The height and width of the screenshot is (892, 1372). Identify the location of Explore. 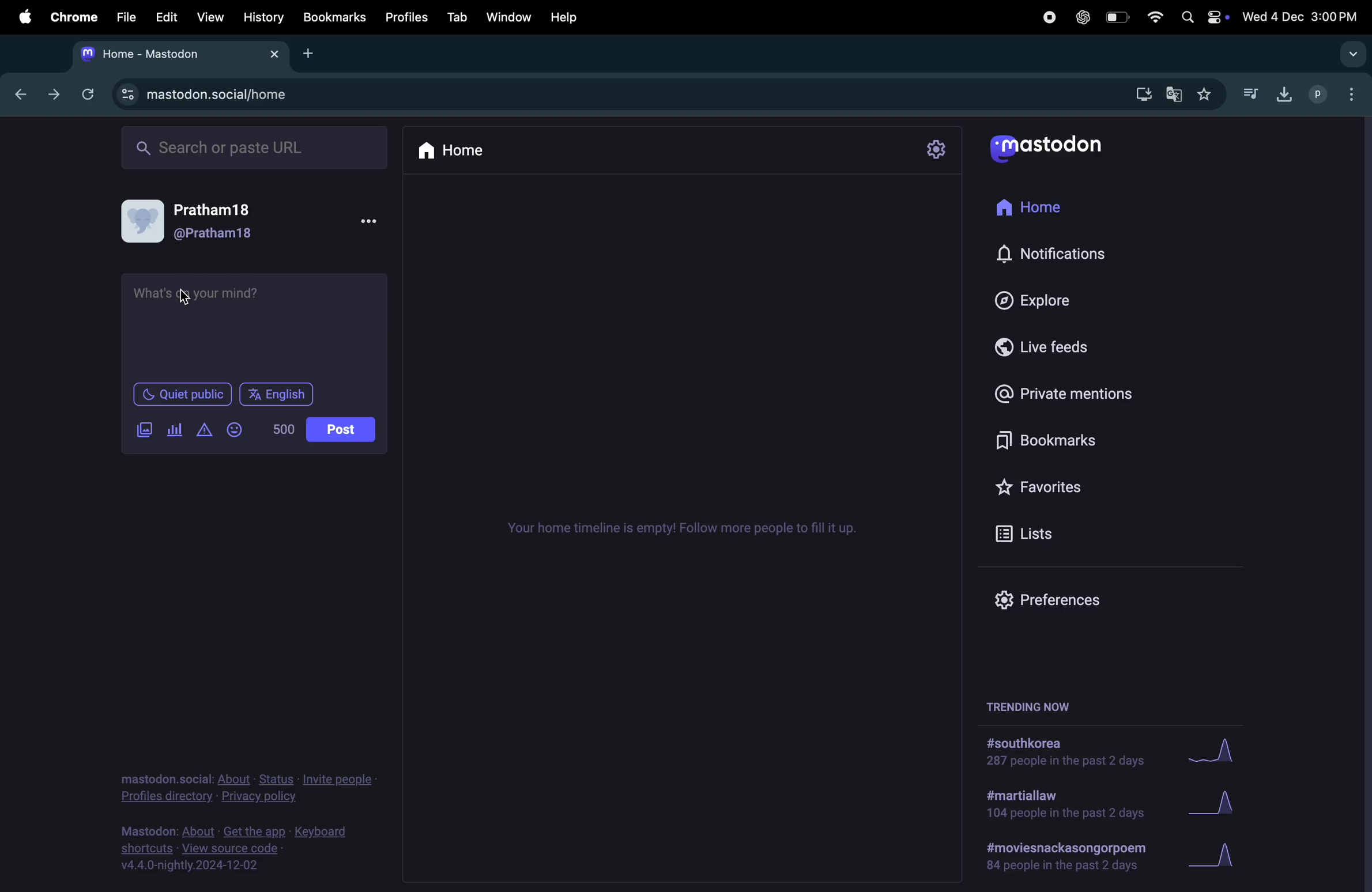
(1046, 300).